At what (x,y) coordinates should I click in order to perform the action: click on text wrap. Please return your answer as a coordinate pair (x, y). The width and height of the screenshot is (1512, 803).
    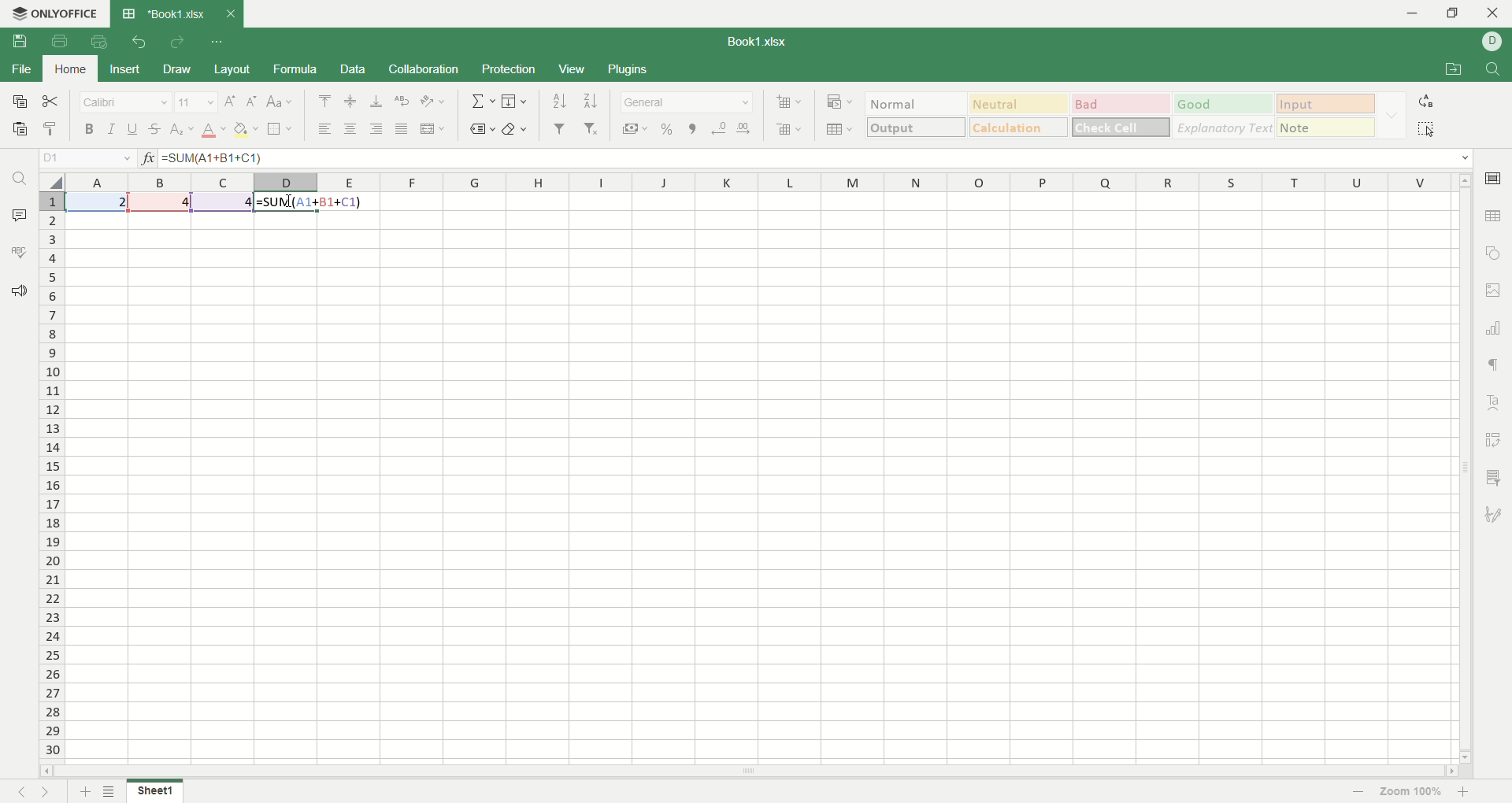
    Looking at the image, I should click on (401, 102).